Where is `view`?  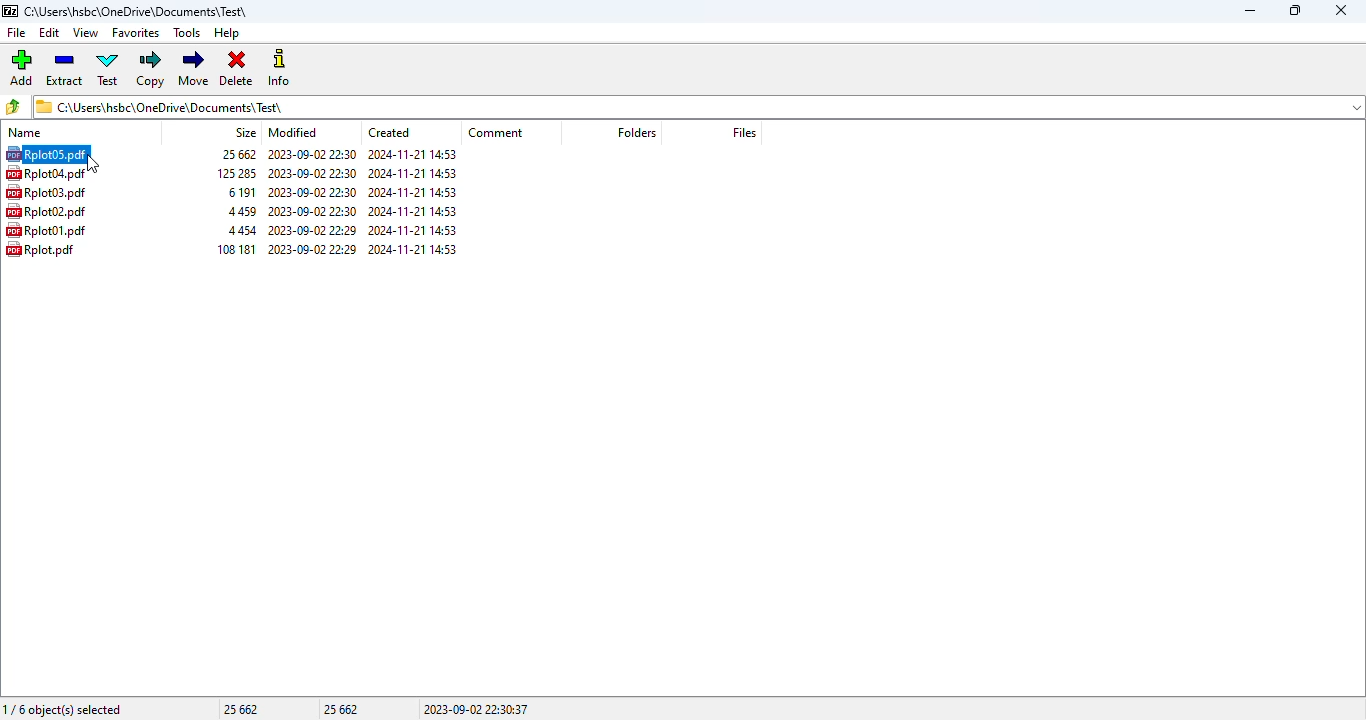
view is located at coordinates (86, 32).